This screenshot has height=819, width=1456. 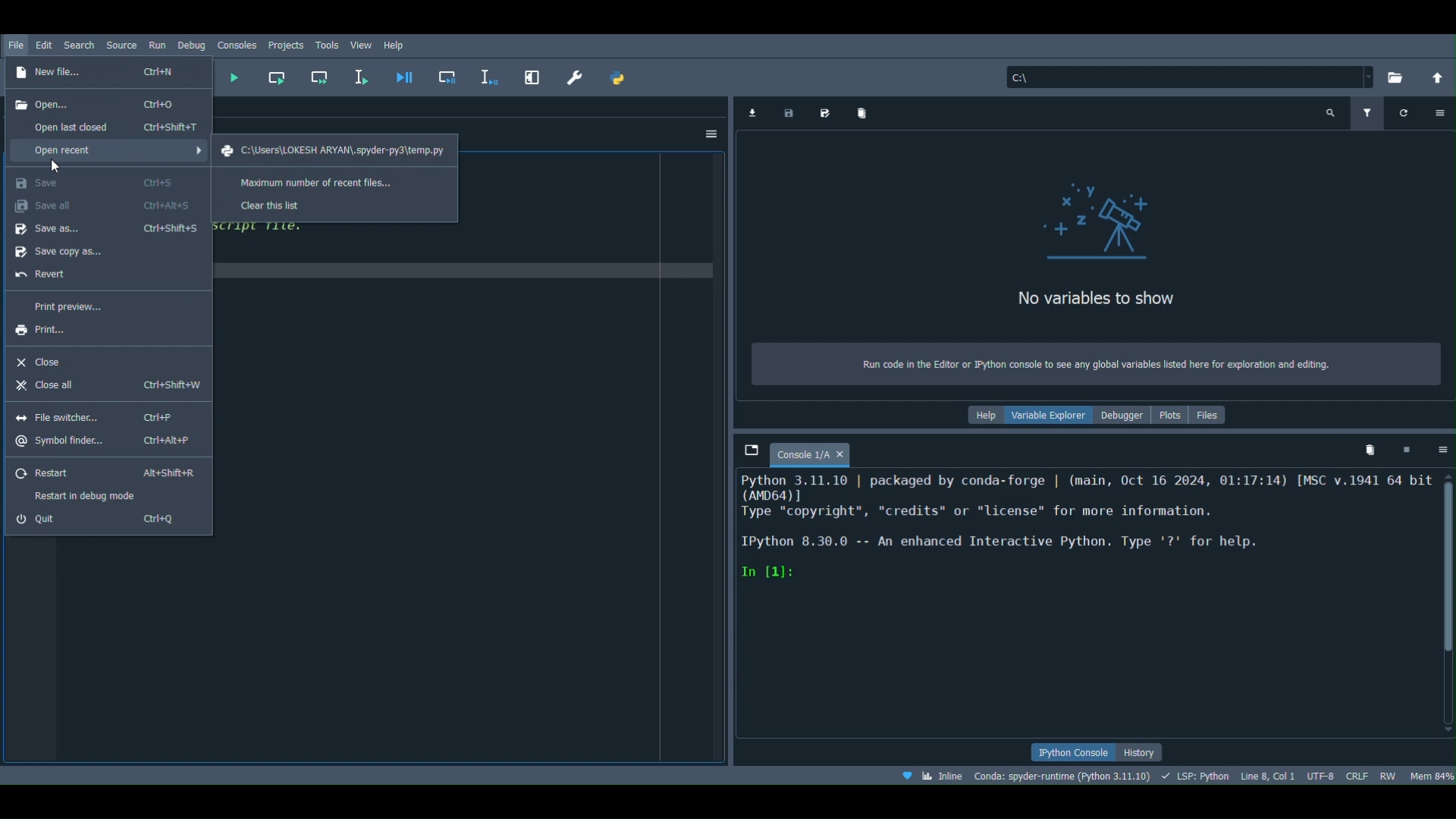 I want to click on Version, so click(x=1064, y=774).